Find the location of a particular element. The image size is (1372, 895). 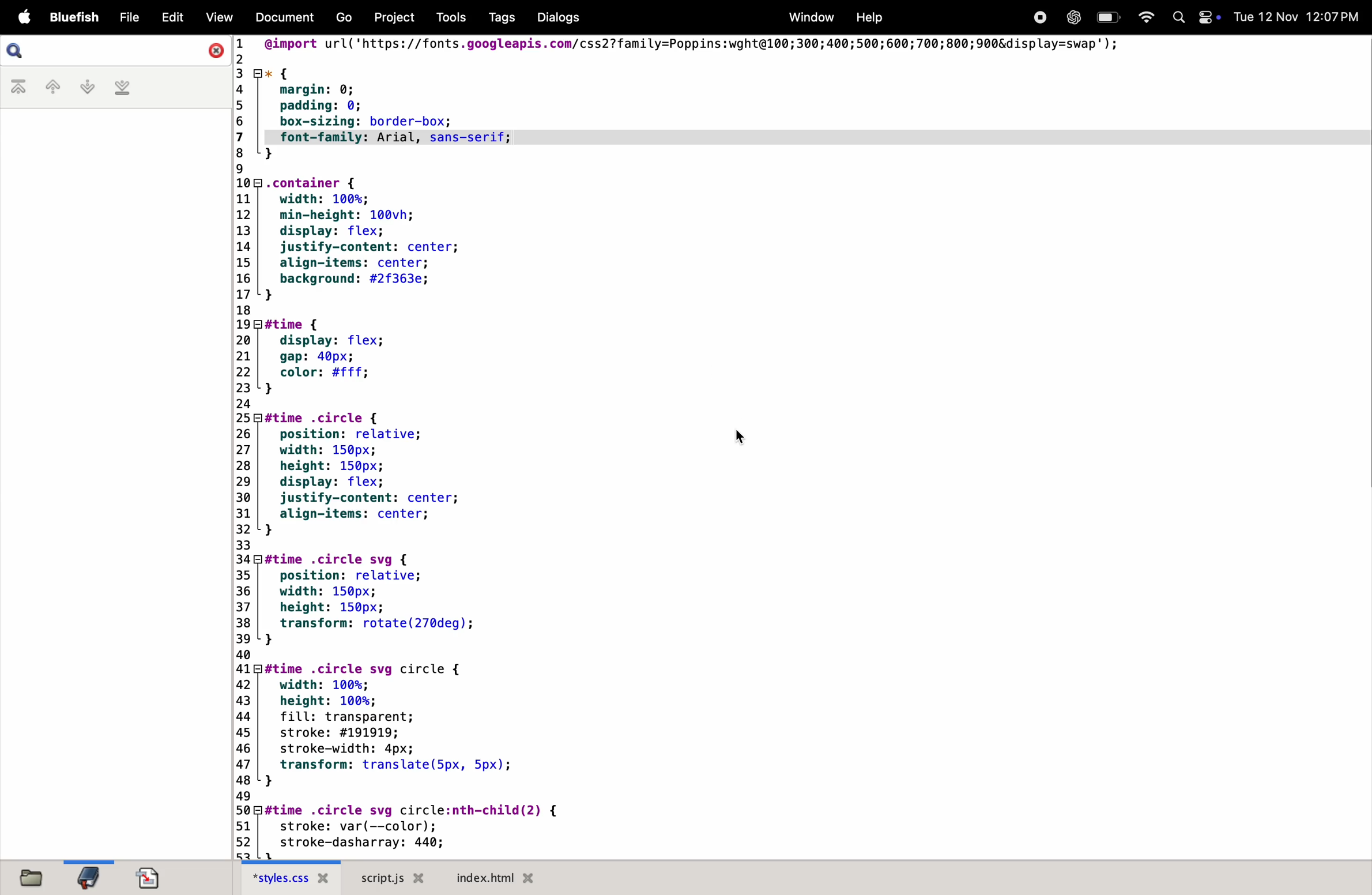

Close is located at coordinates (214, 50).